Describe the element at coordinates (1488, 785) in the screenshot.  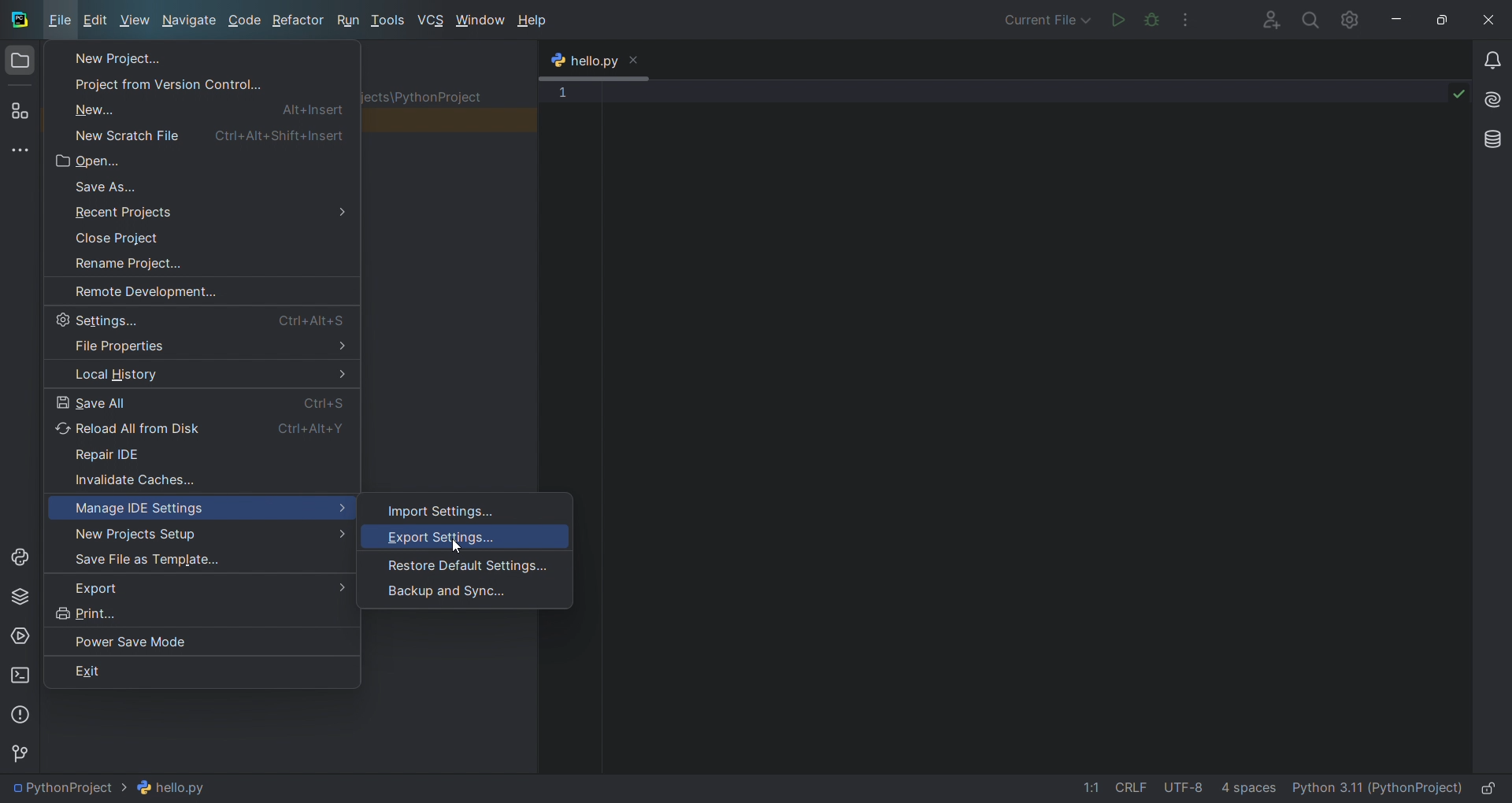
I see `lock` at that location.